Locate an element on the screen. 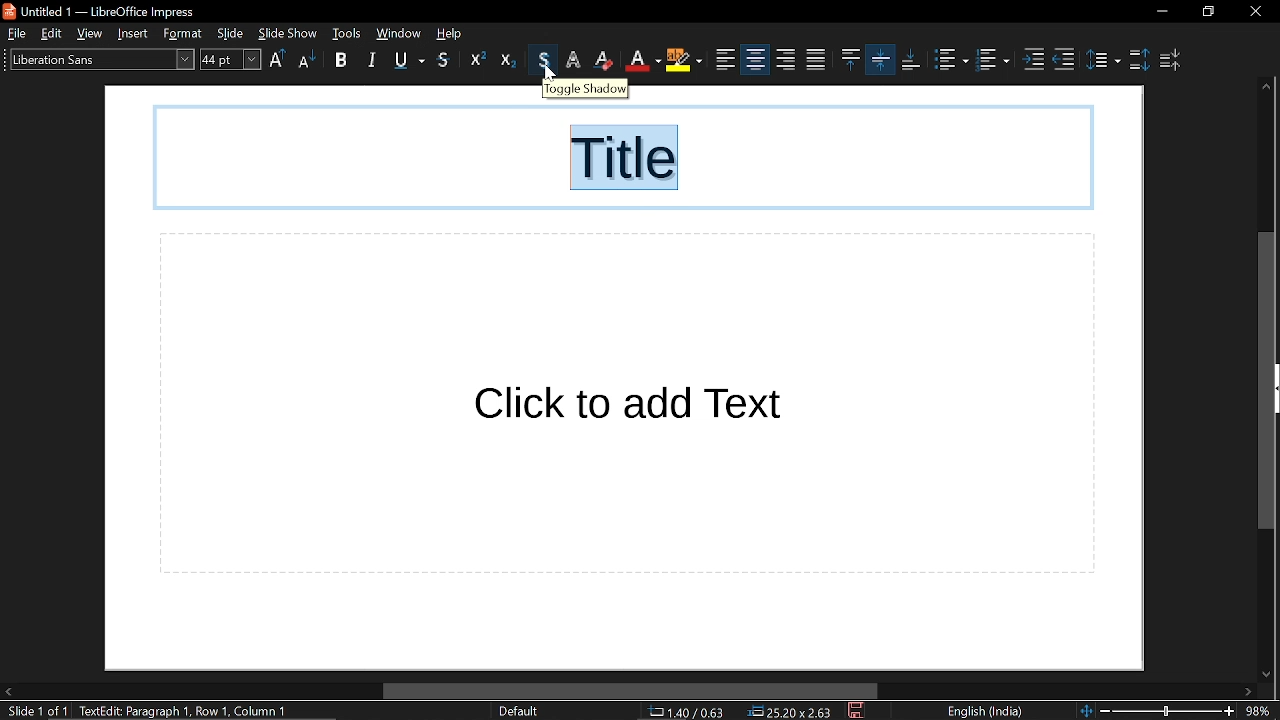 Image resolution: width=1280 pixels, height=720 pixels. subscript is located at coordinates (508, 60).